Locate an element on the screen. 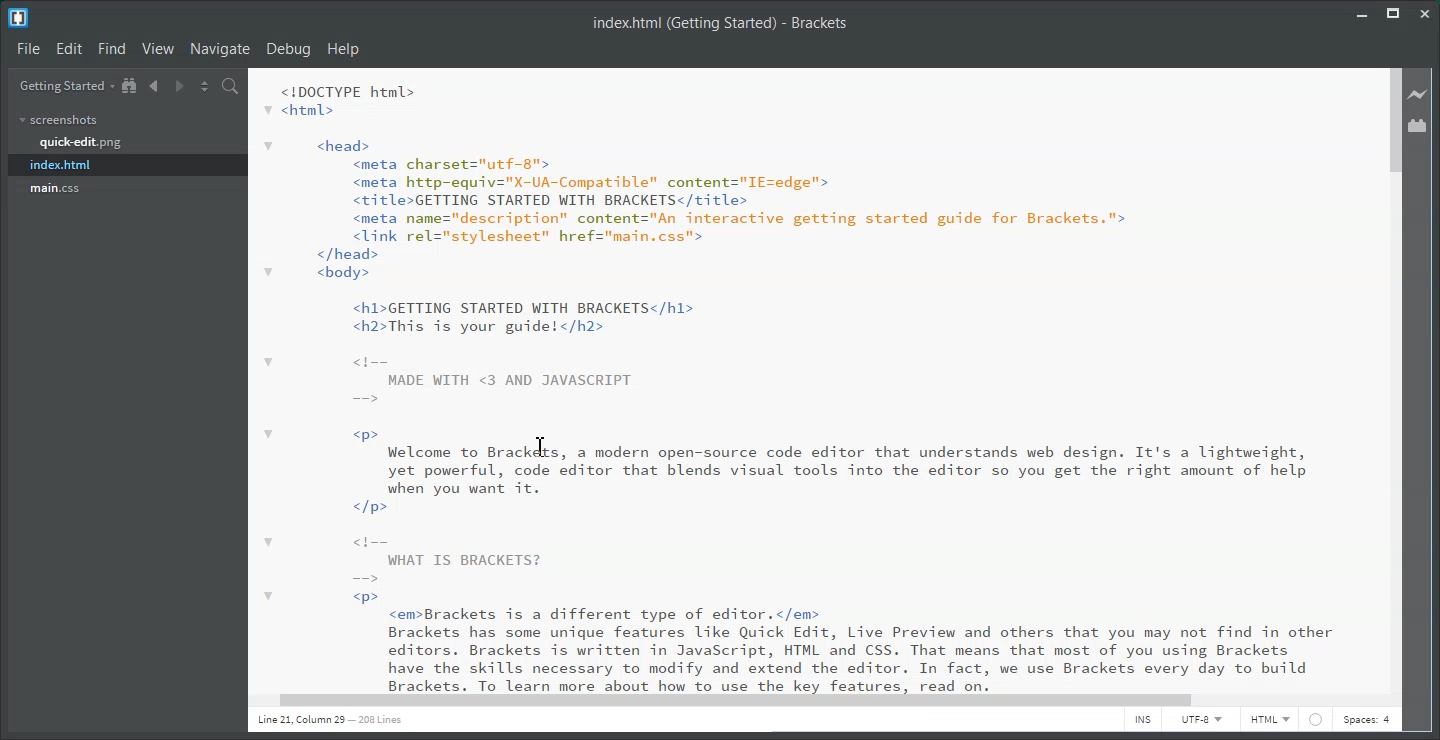  HTML is located at coordinates (1270, 720).